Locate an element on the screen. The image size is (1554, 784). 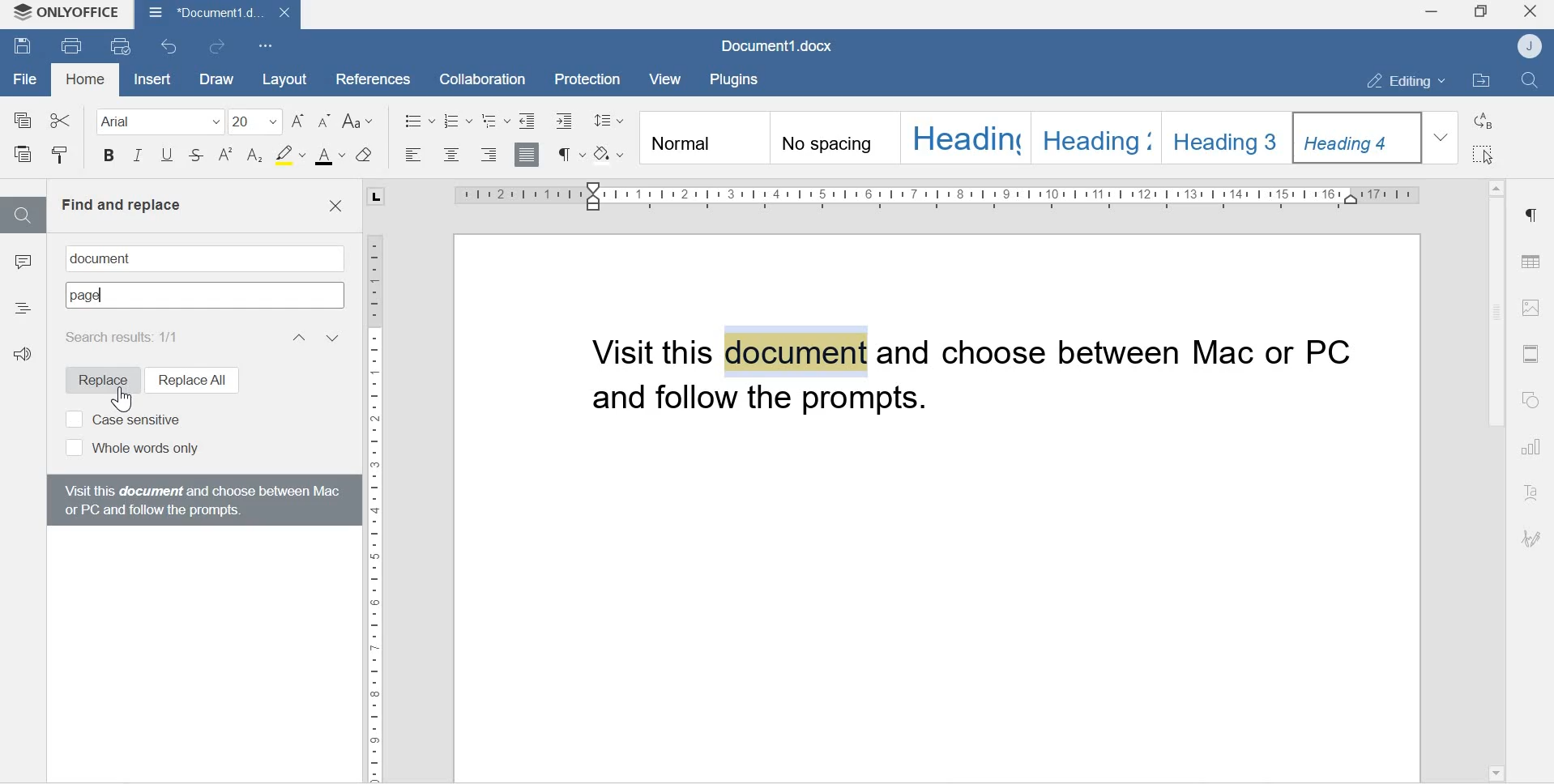
Align left is located at coordinates (414, 156).